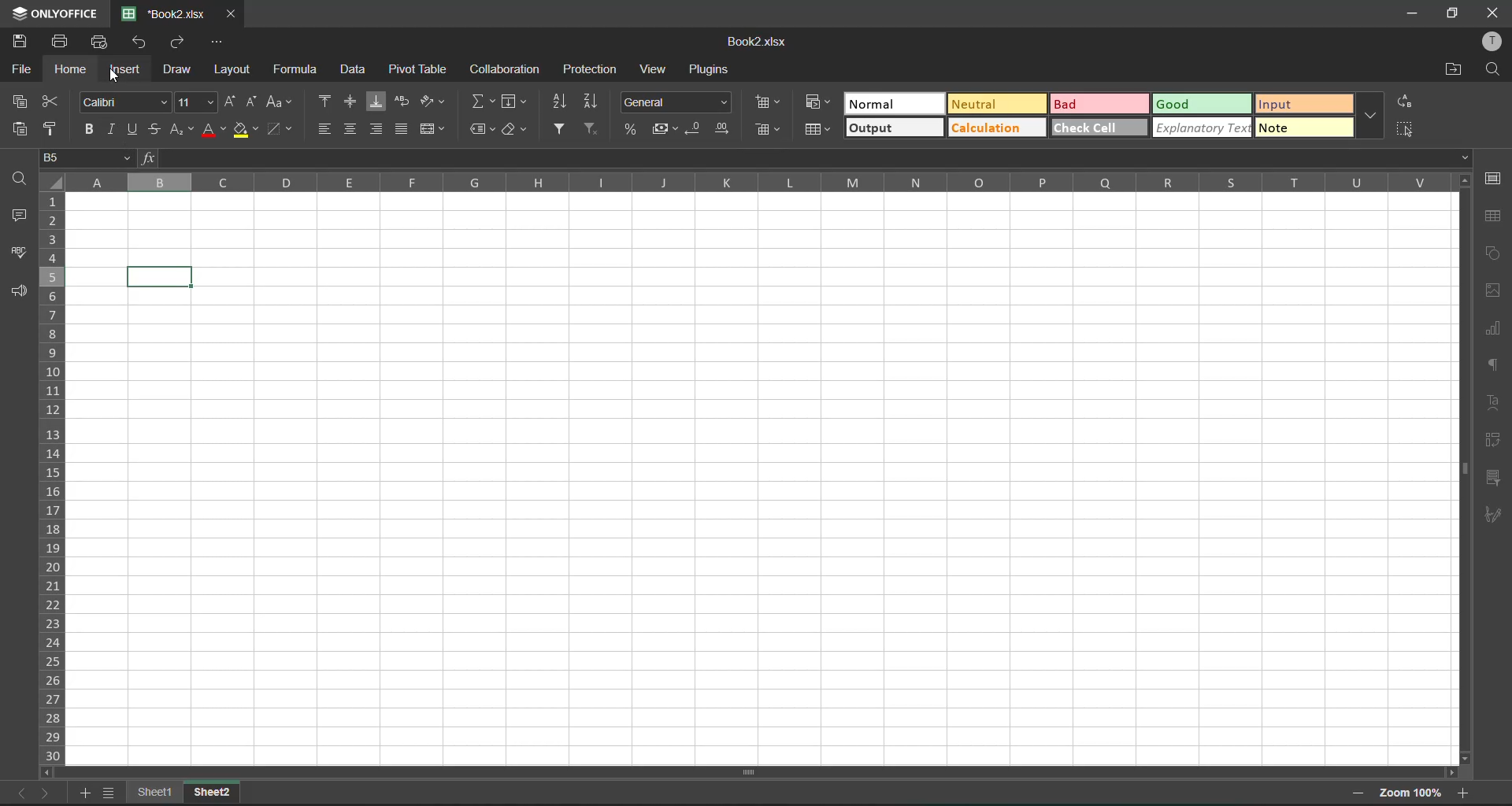 The width and height of the screenshot is (1512, 806). I want to click on column names, so click(758, 184).